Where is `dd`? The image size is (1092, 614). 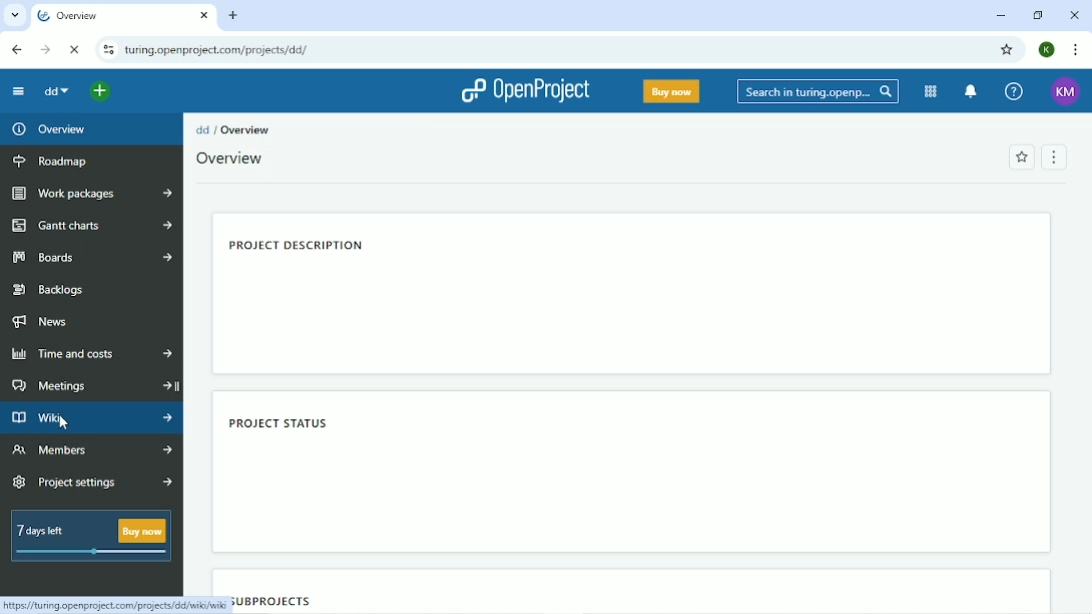 dd is located at coordinates (57, 92).